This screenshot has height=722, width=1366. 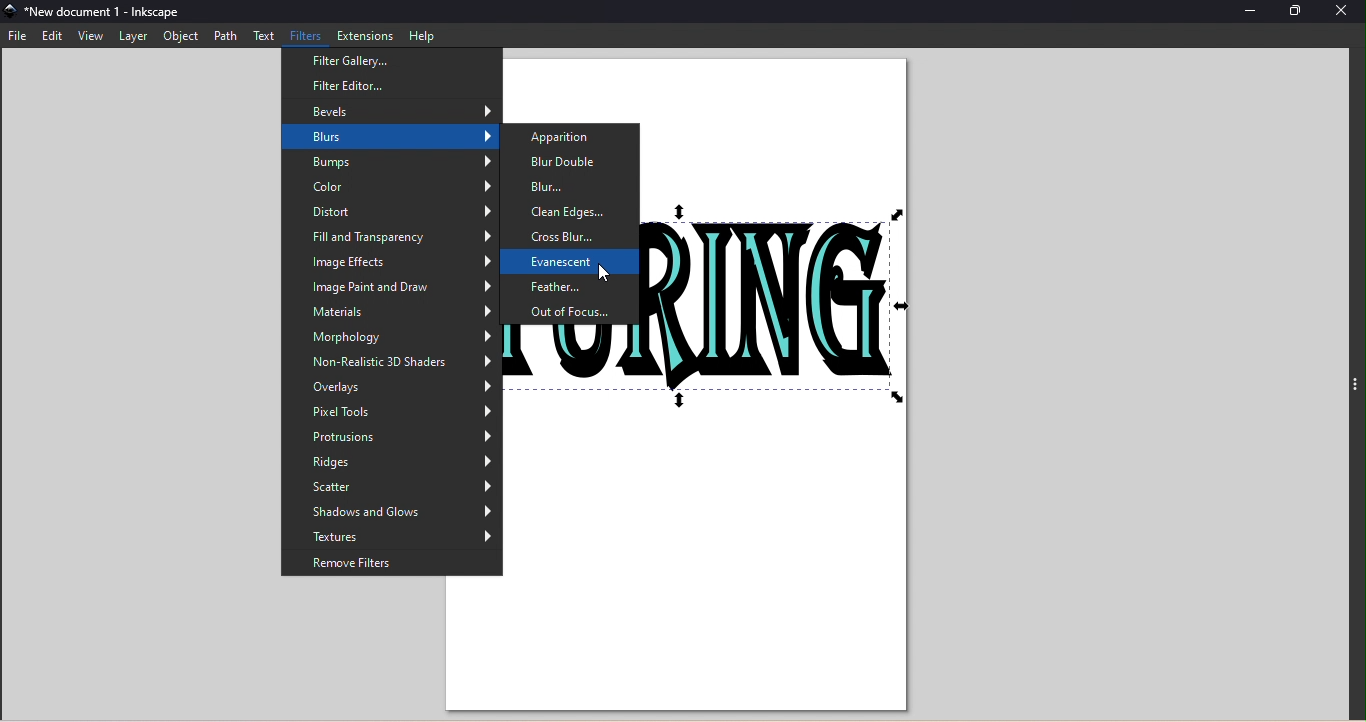 I want to click on Clean edges, so click(x=566, y=211).